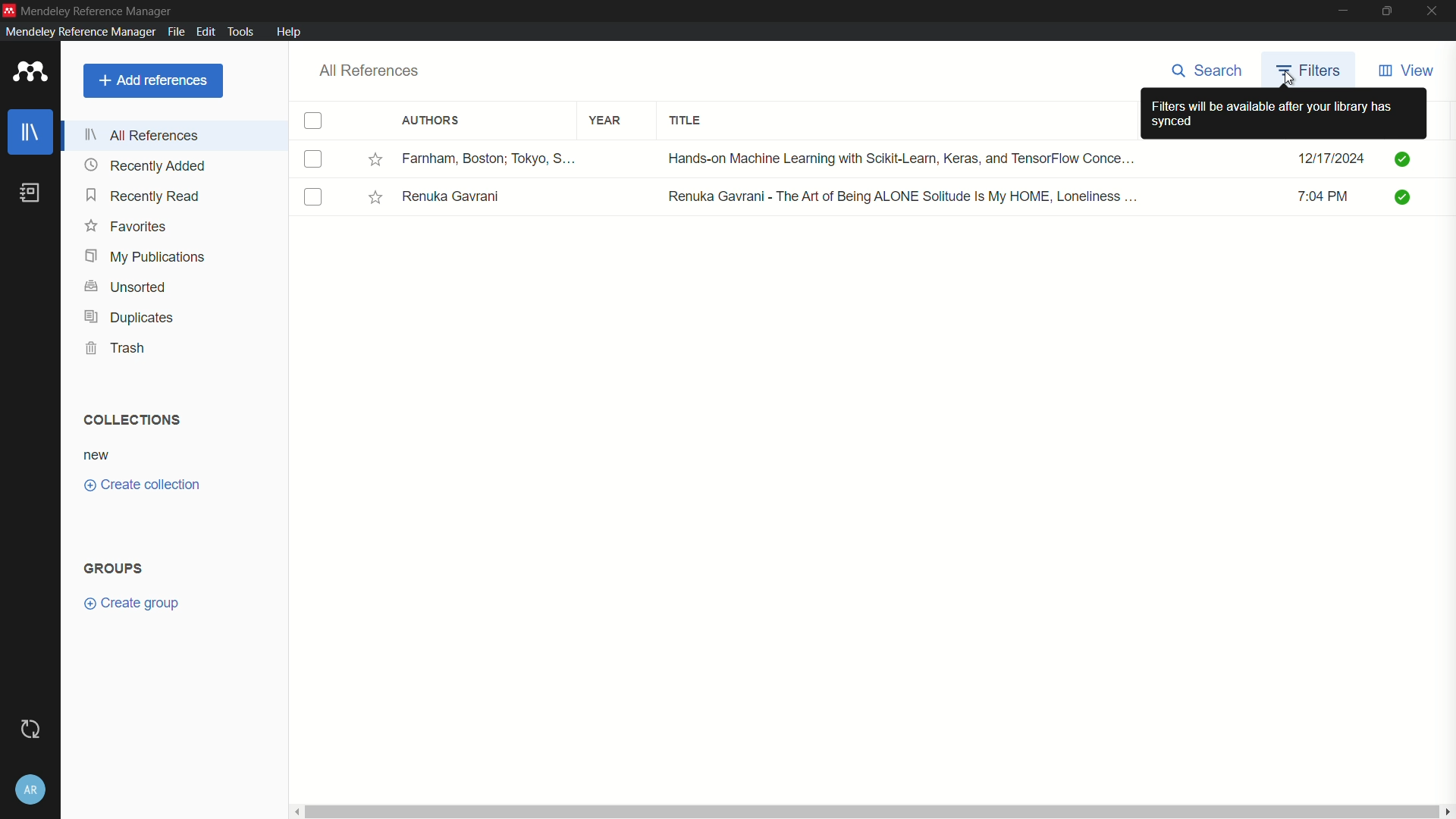 The height and width of the screenshot is (819, 1456). Describe the element at coordinates (9, 9) in the screenshot. I see `app icon` at that location.